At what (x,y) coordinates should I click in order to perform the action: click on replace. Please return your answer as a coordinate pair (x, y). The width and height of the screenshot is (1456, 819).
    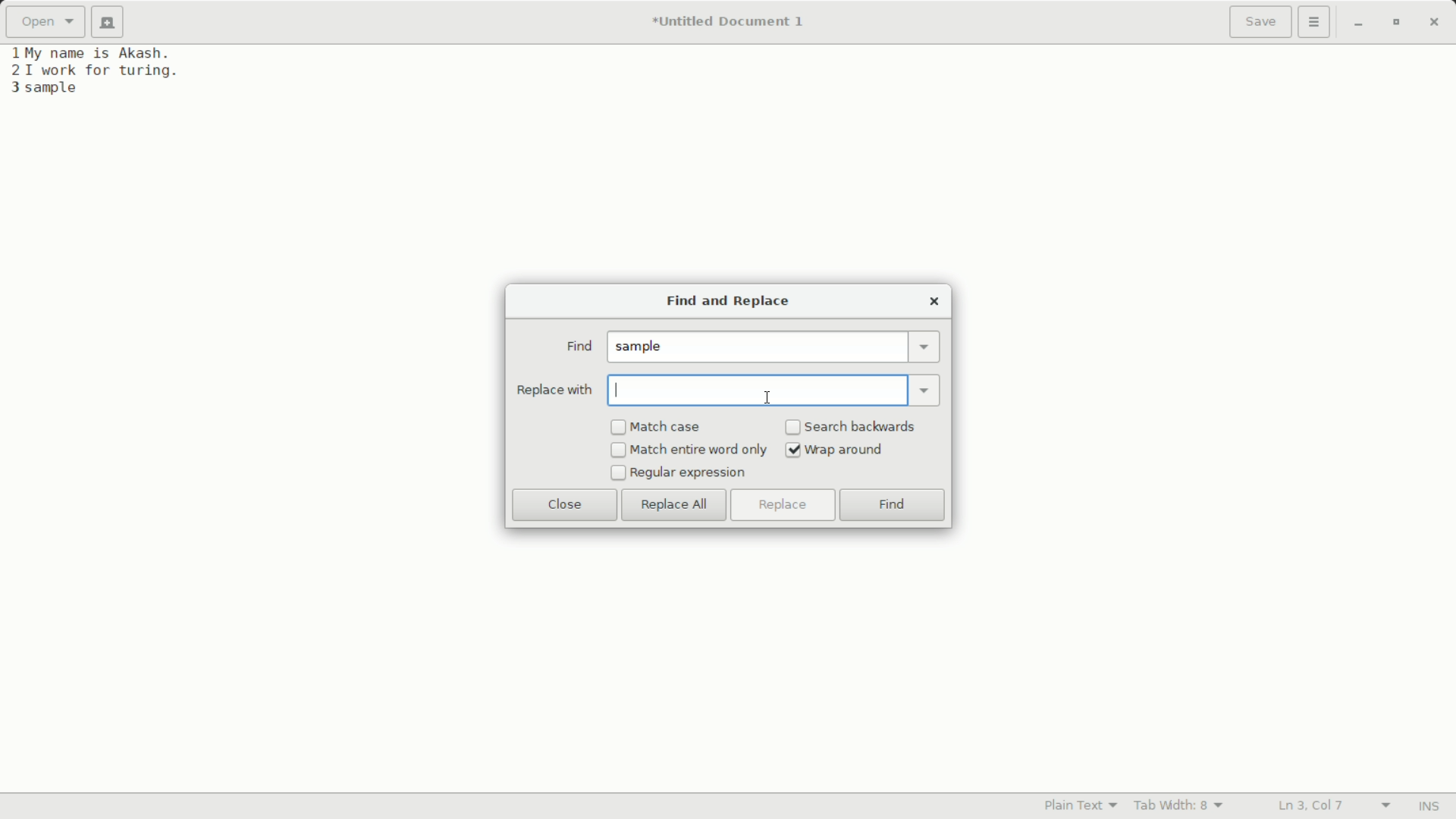
    Looking at the image, I should click on (781, 505).